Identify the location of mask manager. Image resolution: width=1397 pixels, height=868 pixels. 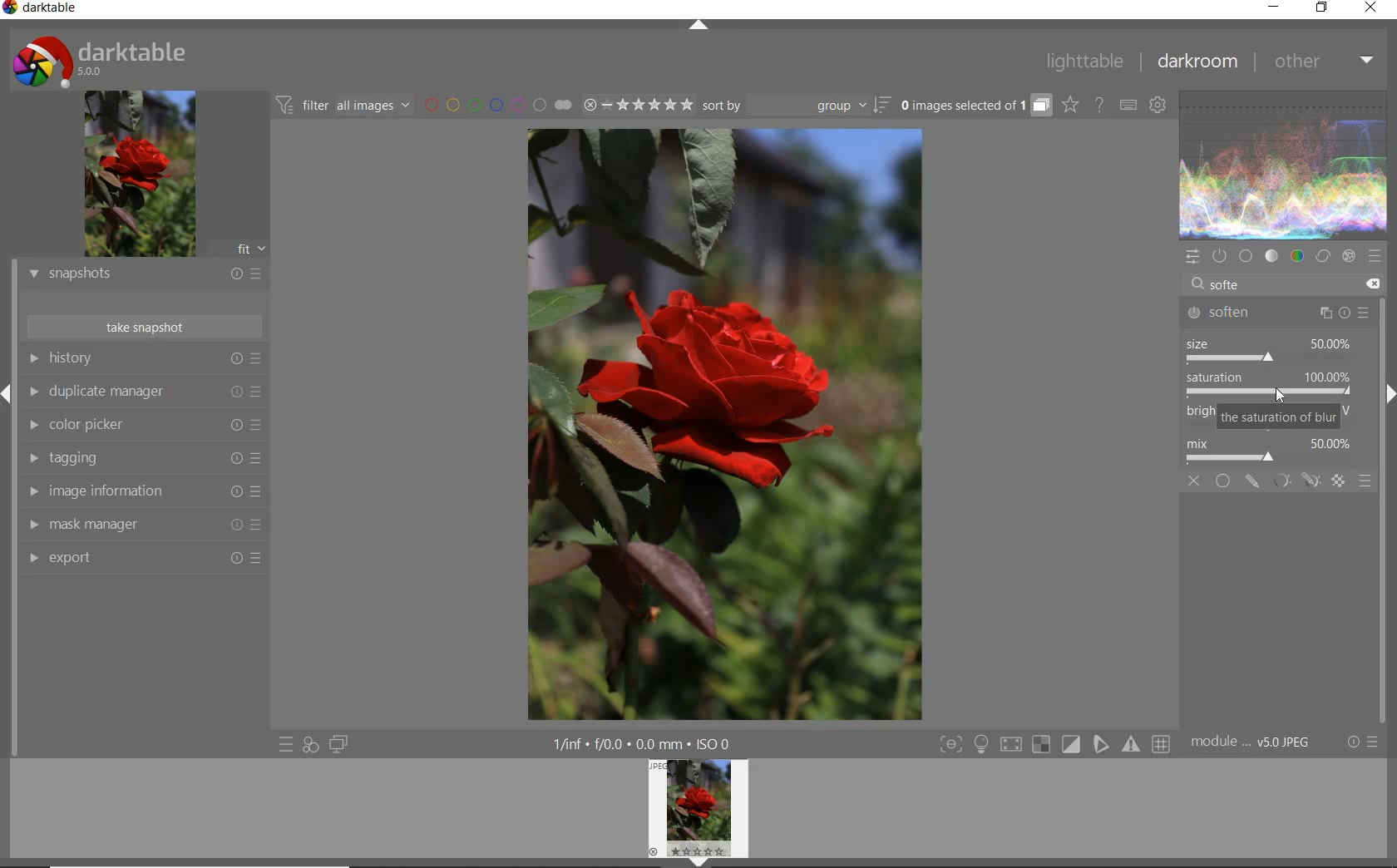
(142, 525).